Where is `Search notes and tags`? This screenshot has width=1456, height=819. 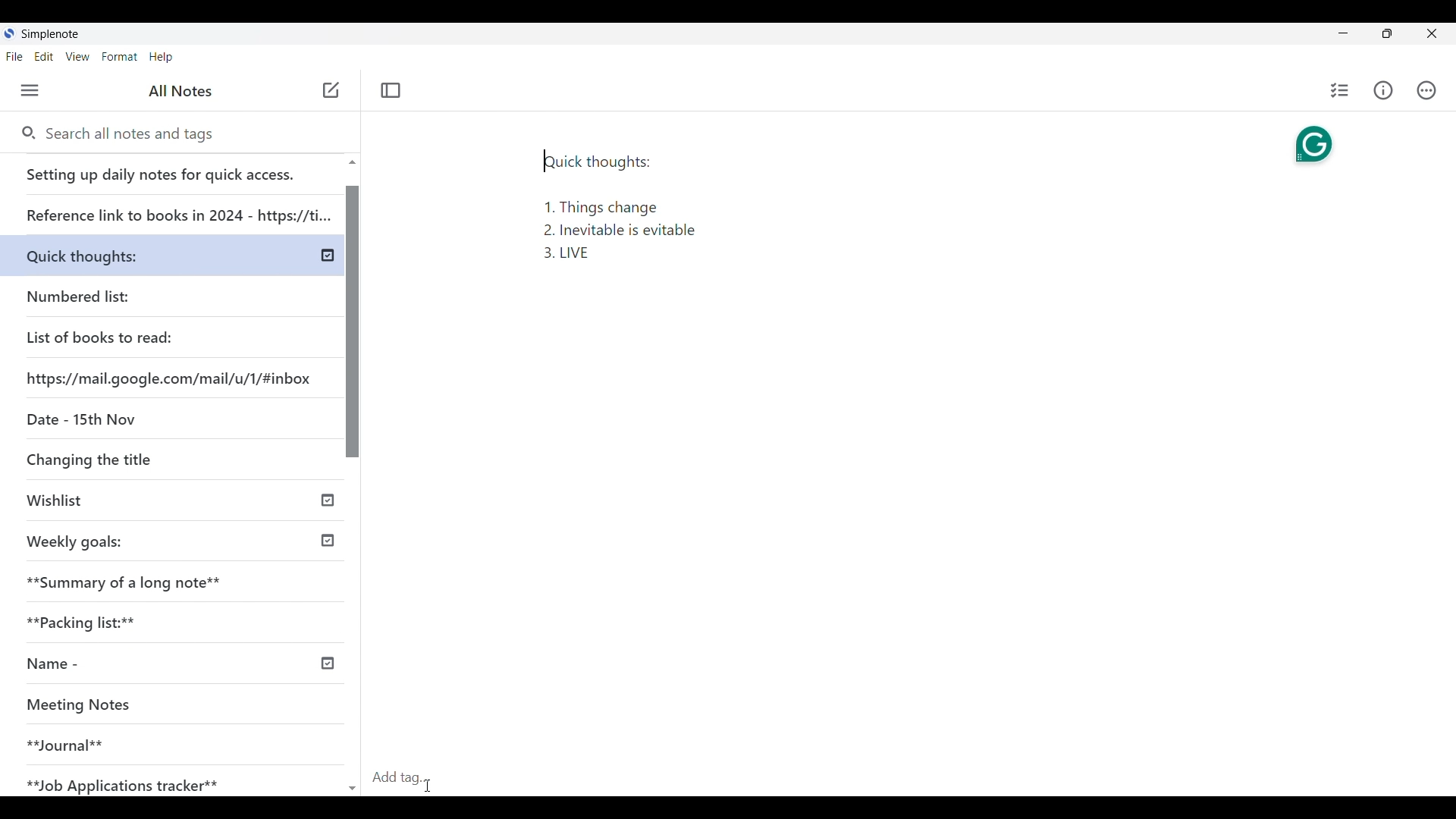 Search notes and tags is located at coordinates (136, 134).